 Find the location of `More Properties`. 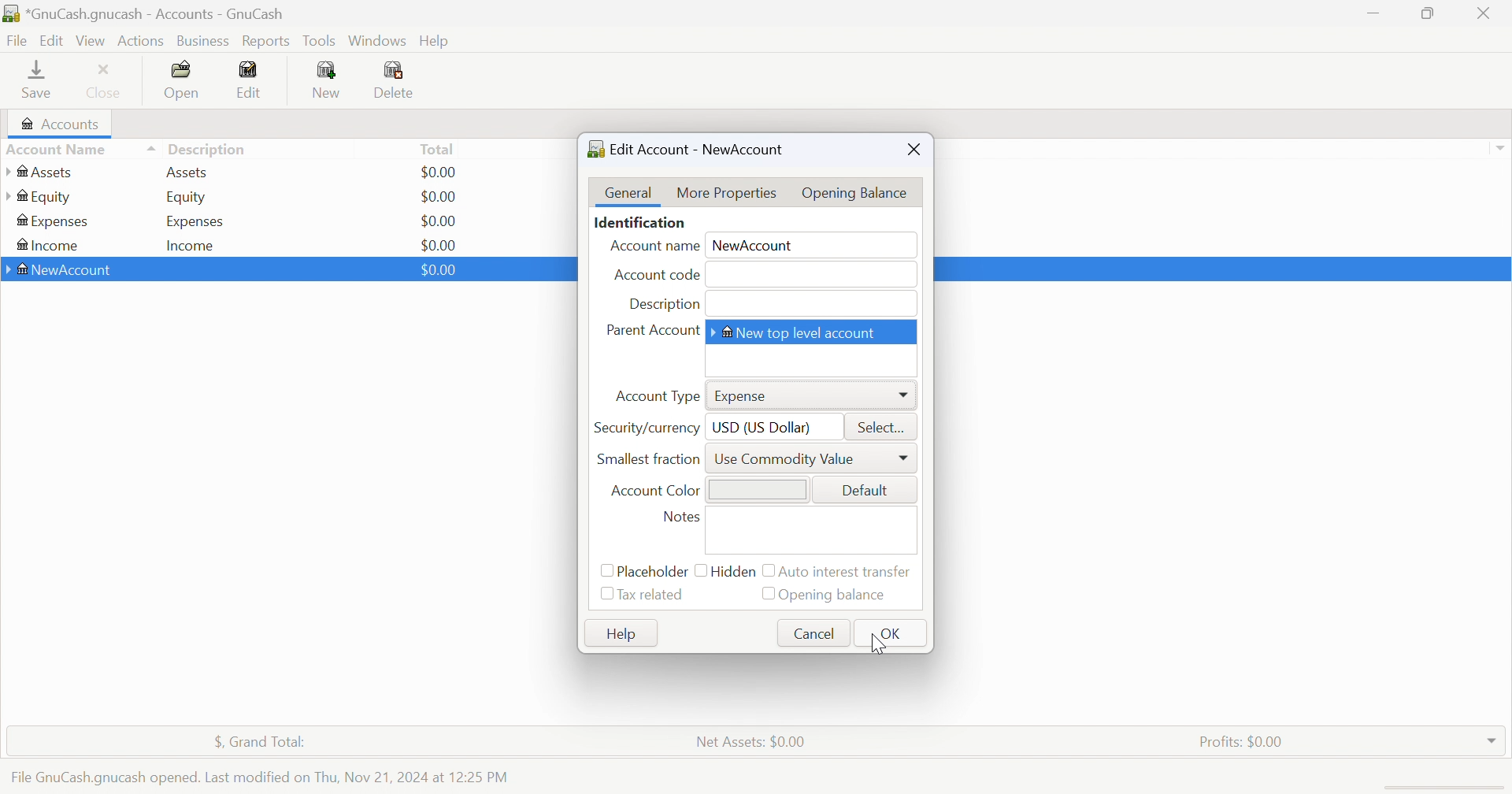

More Properties is located at coordinates (727, 191).